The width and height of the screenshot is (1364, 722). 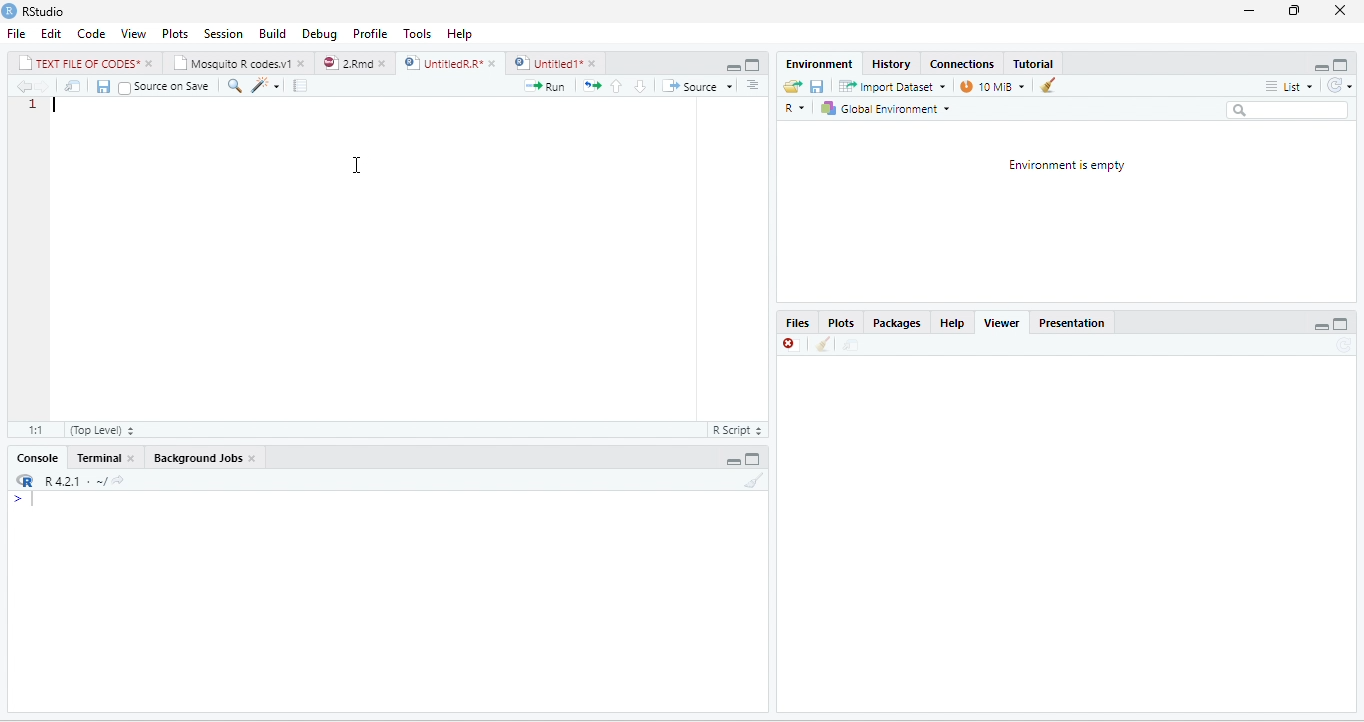 What do you see at coordinates (1340, 10) in the screenshot?
I see `close` at bounding box center [1340, 10].